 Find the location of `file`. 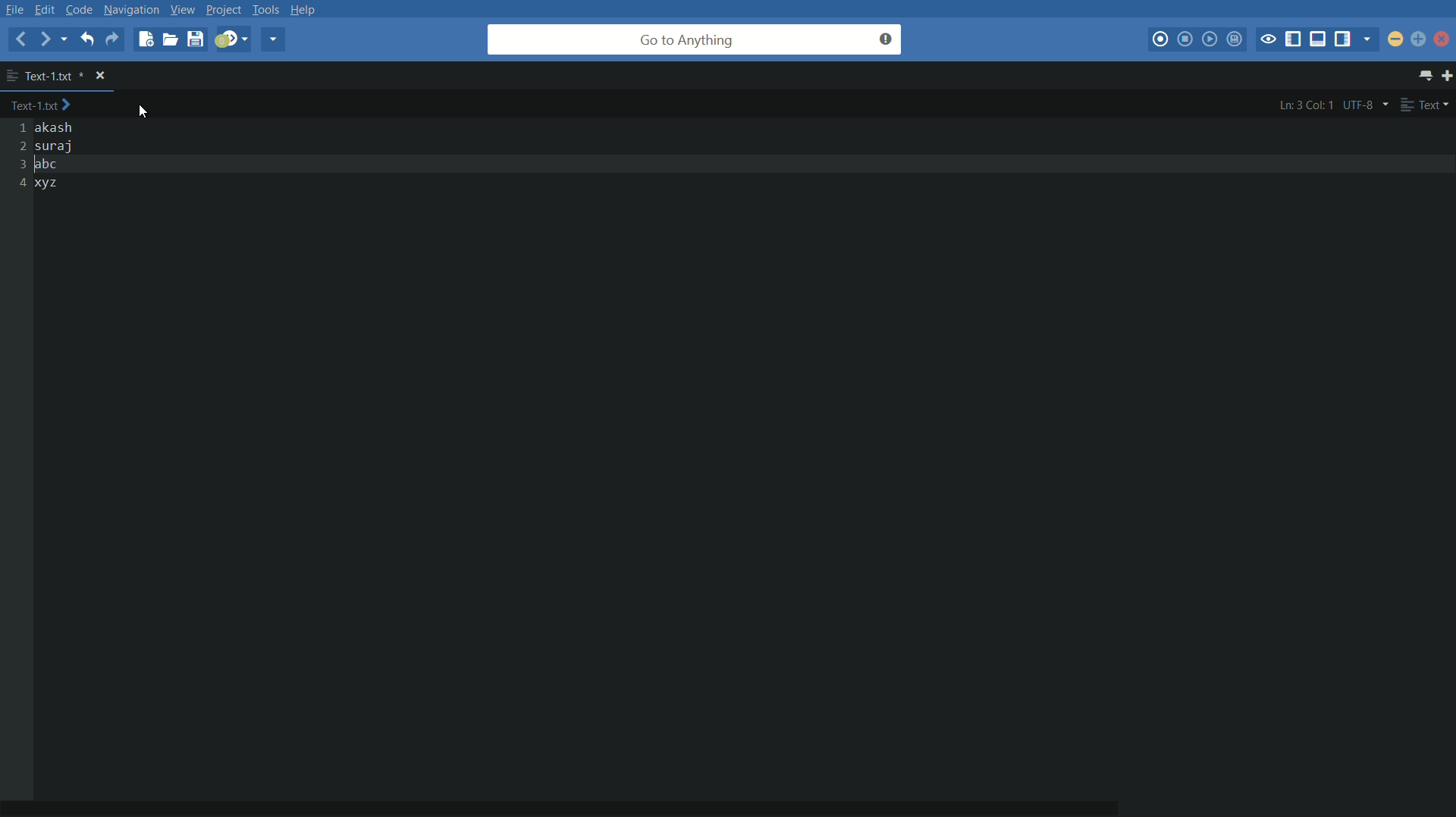

file is located at coordinates (15, 9).